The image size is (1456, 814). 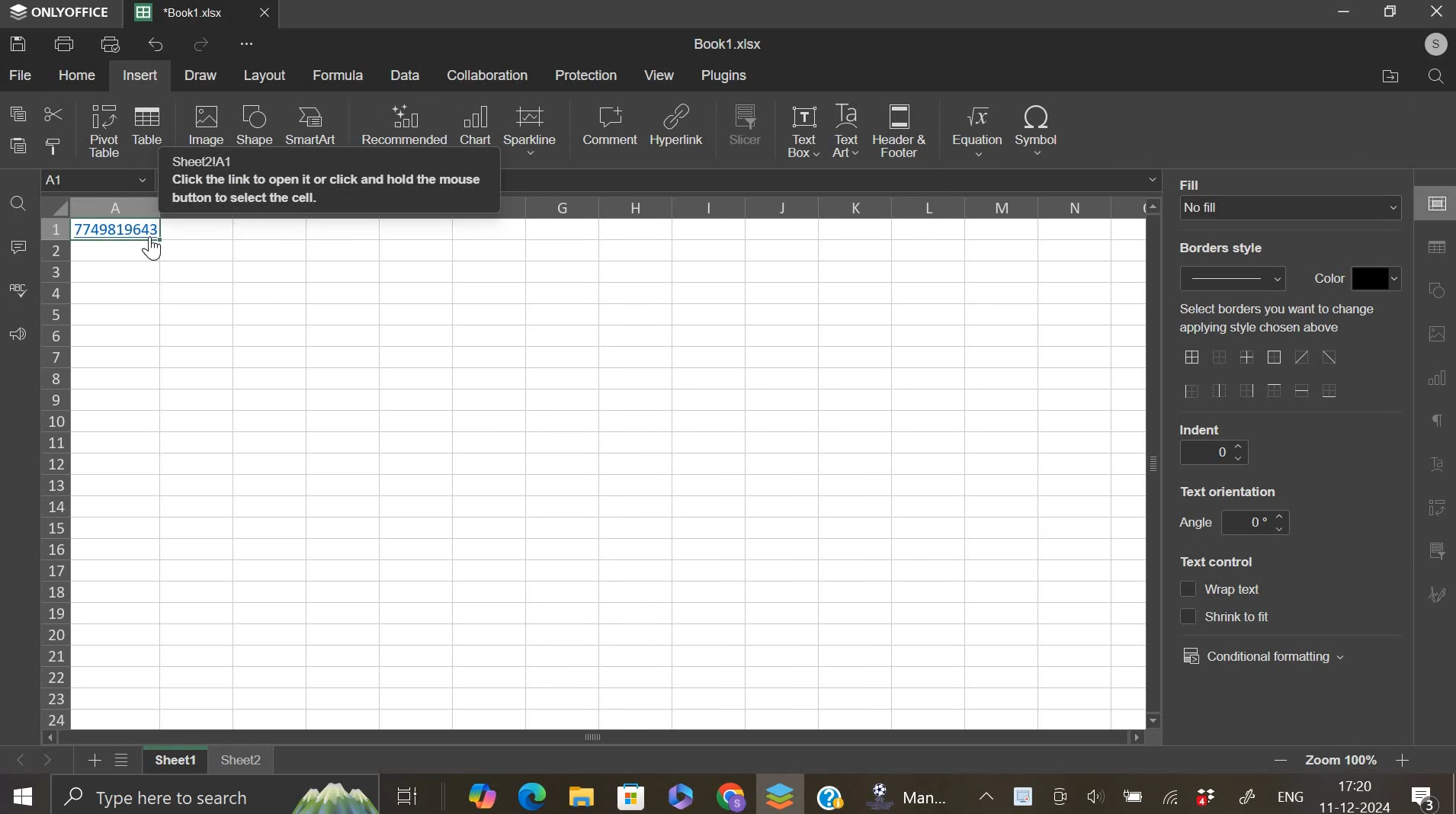 What do you see at coordinates (309, 124) in the screenshot?
I see `smartart` at bounding box center [309, 124].